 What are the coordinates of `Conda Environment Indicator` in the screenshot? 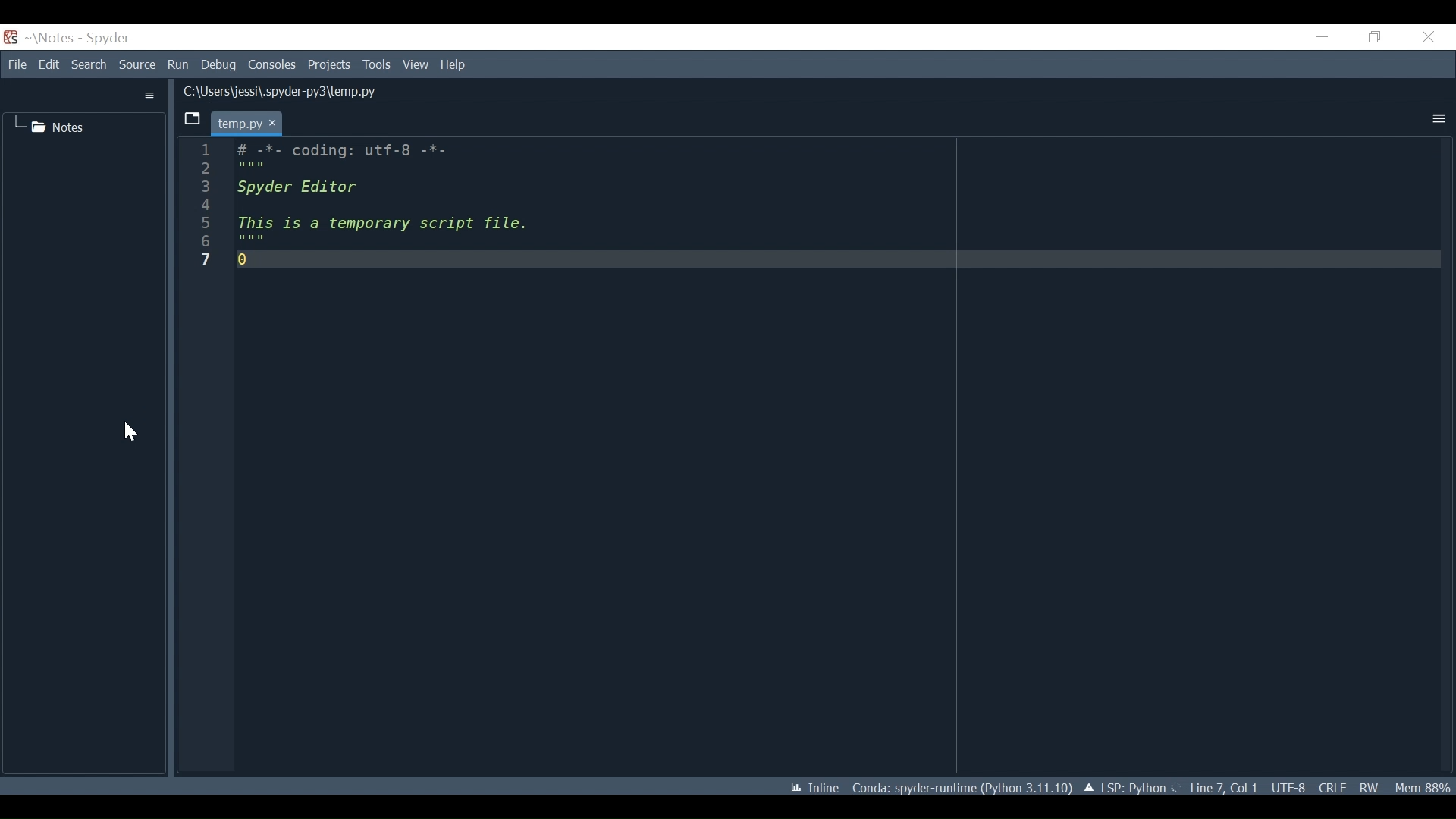 It's located at (962, 786).